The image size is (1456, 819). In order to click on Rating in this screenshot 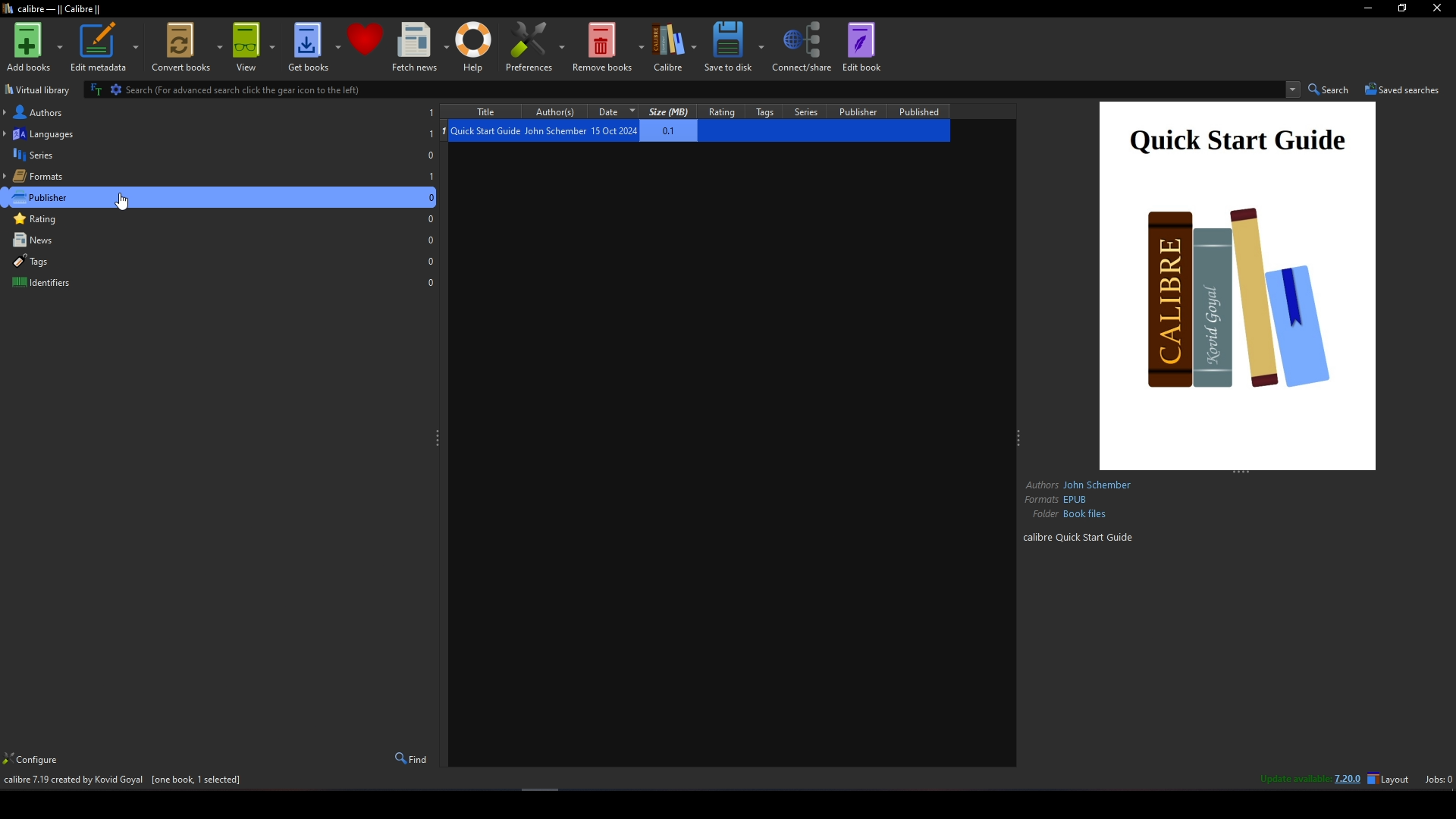, I will do `click(725, 111)`.